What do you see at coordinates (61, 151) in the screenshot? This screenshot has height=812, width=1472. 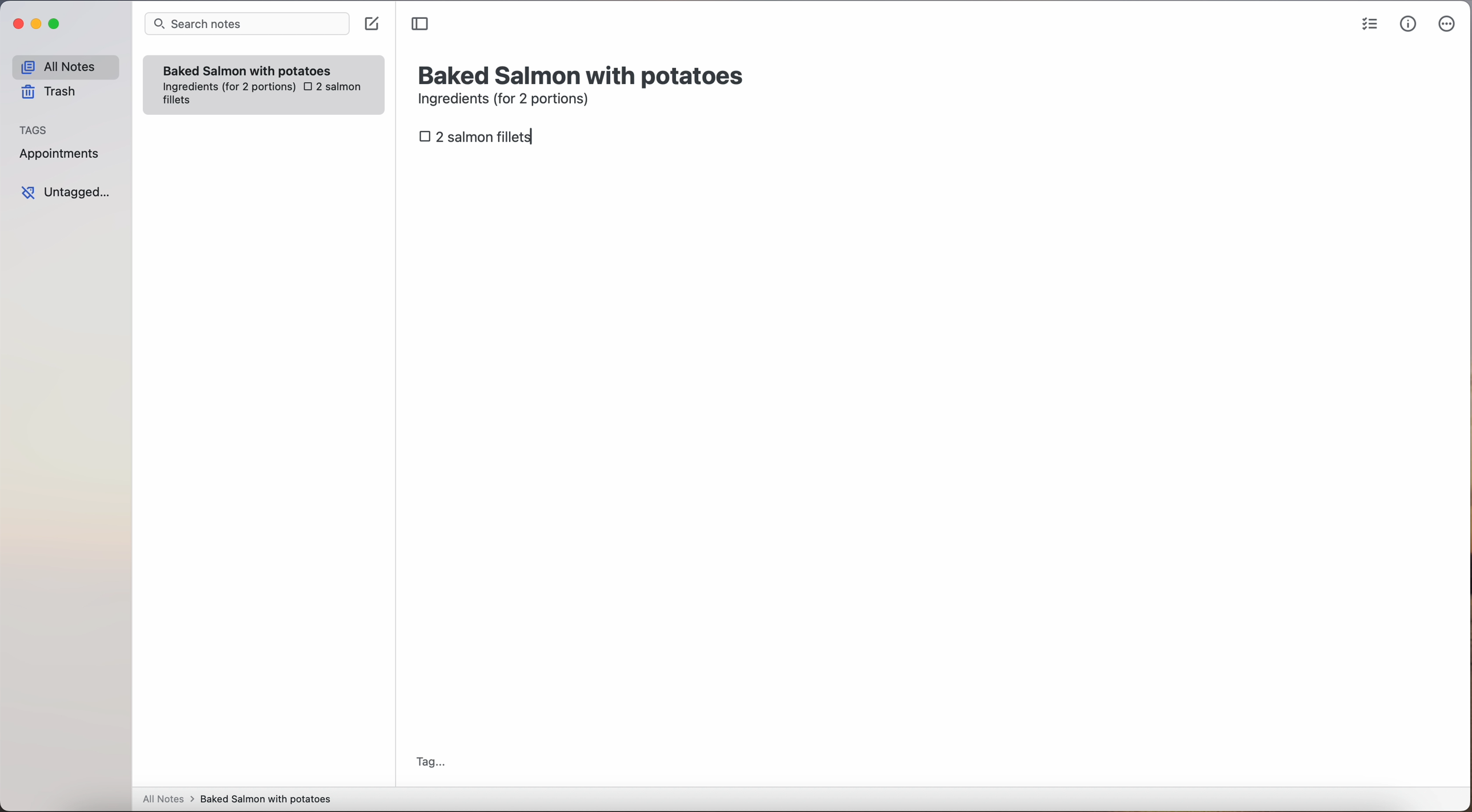 I see `appointments tag` at bounding box center [61, 151].